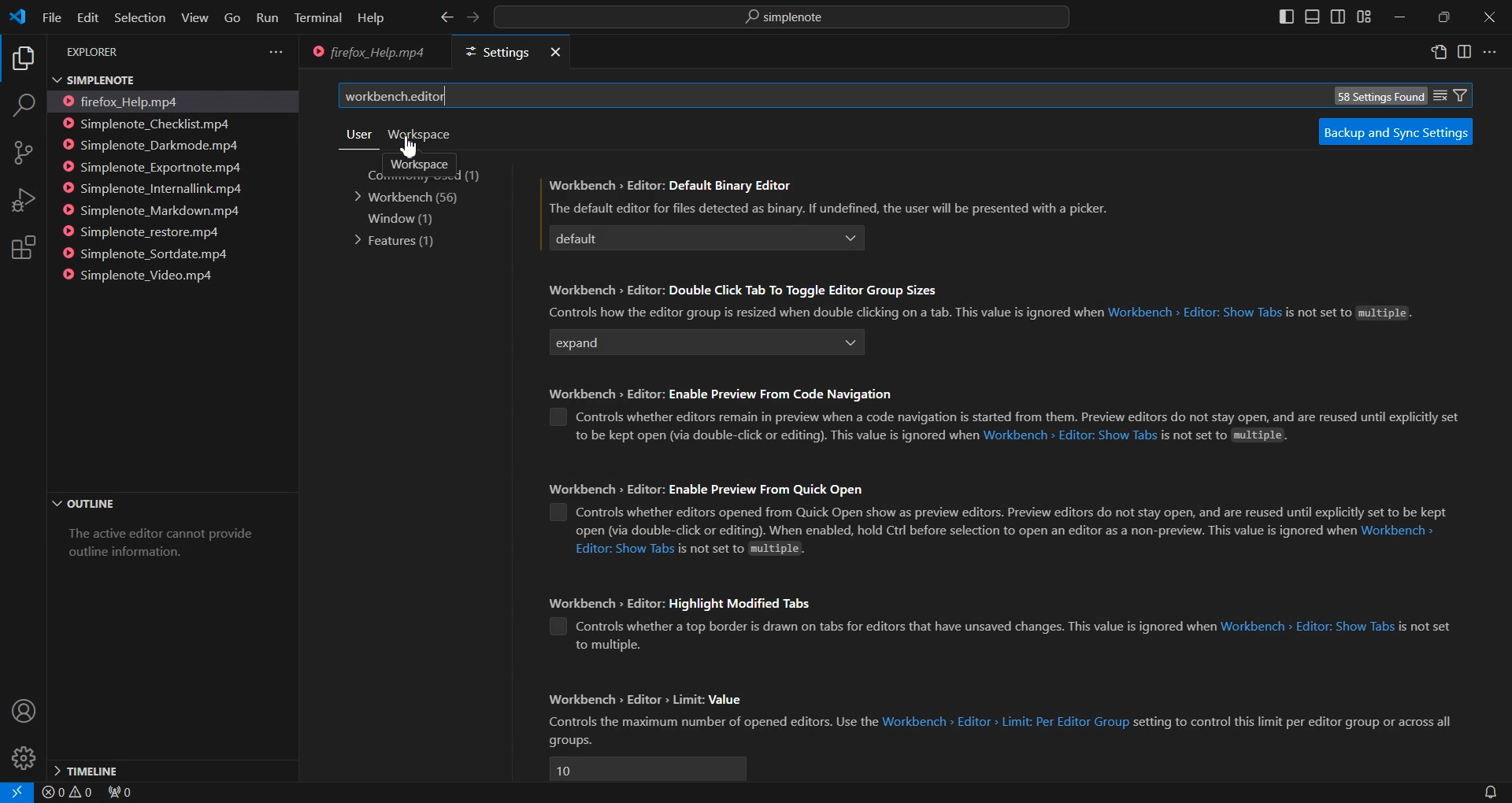 Image resolution: width=1512 pixels, height=803 pixels. Describe the element at coordinates (358, 134) in the screenshot. I see `User` at that location.